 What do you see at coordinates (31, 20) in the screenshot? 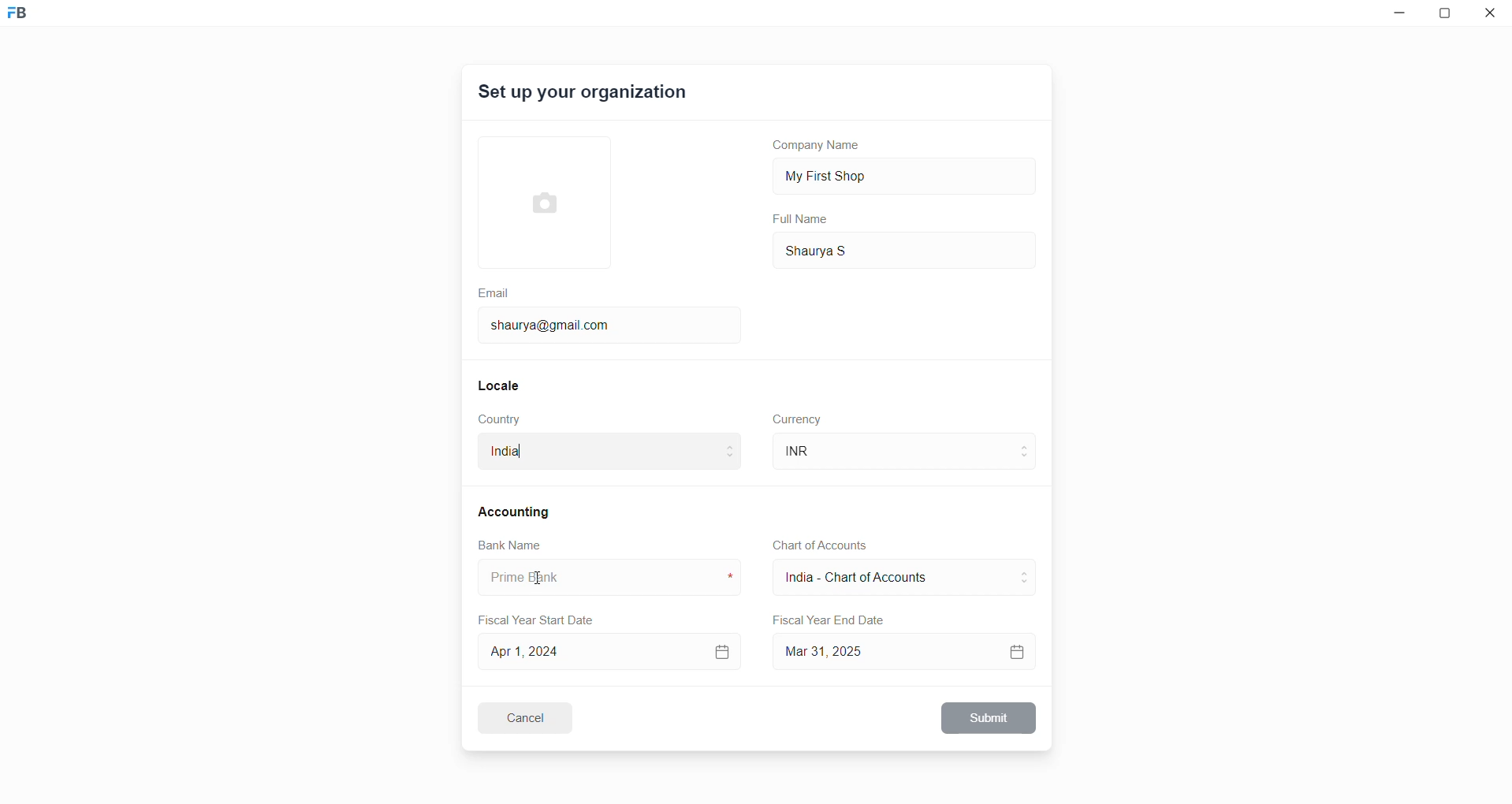
I see `Frappe Book logo` at bounding box center [31, 20].